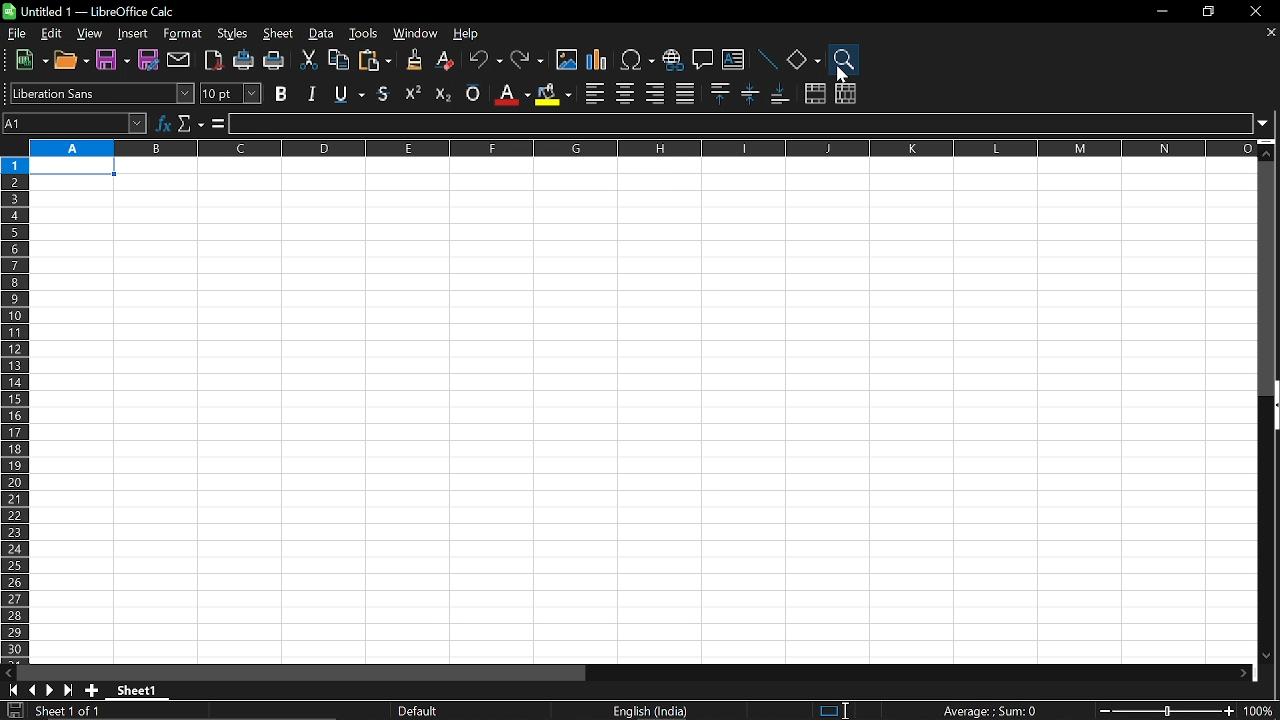  I want to click on redo, so click(528, 61).